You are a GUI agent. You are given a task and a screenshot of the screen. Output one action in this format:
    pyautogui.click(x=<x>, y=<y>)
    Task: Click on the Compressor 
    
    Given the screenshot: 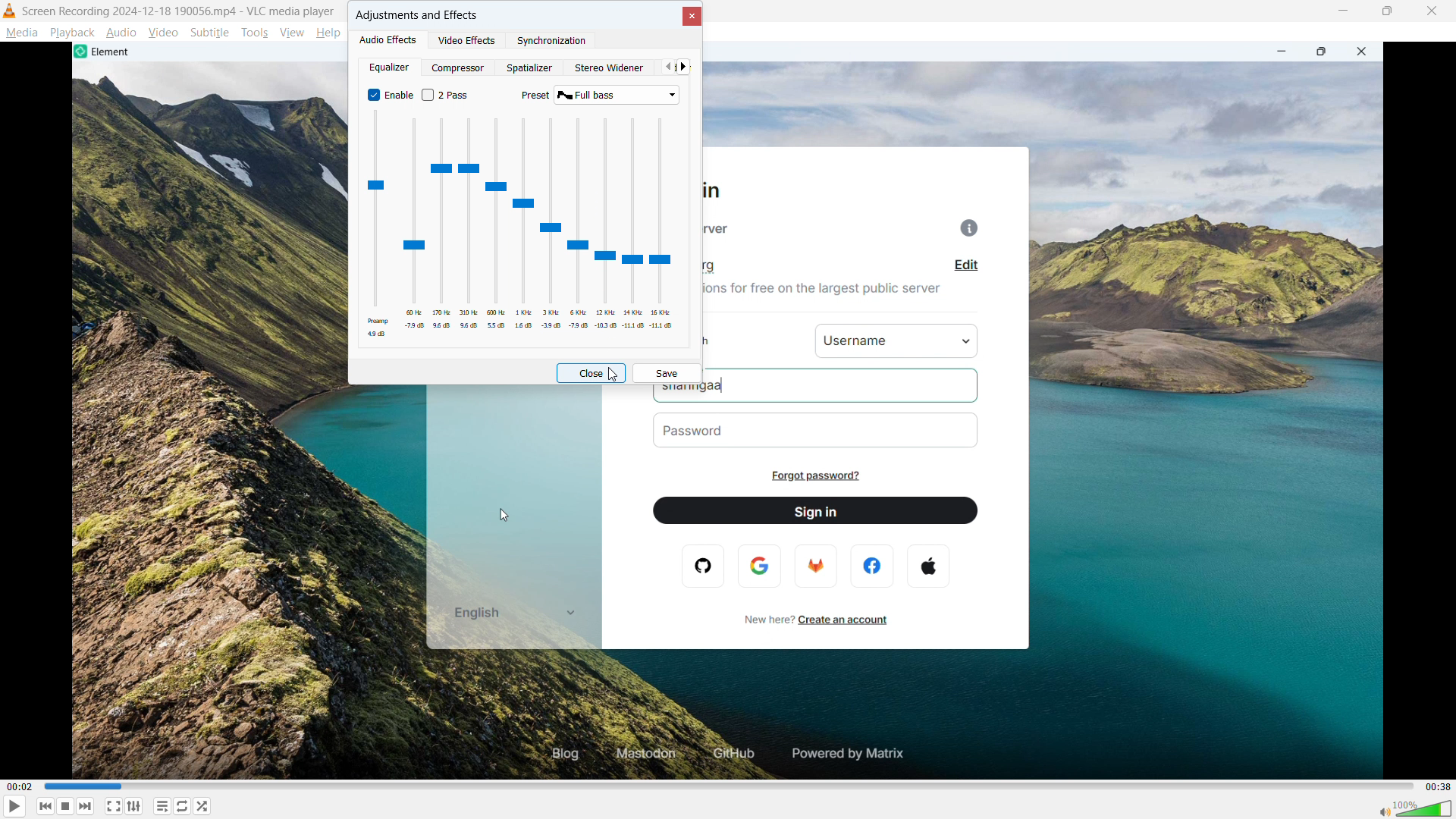 What is the action you would take?
    pyautogui.click(x=460, y=67)
    